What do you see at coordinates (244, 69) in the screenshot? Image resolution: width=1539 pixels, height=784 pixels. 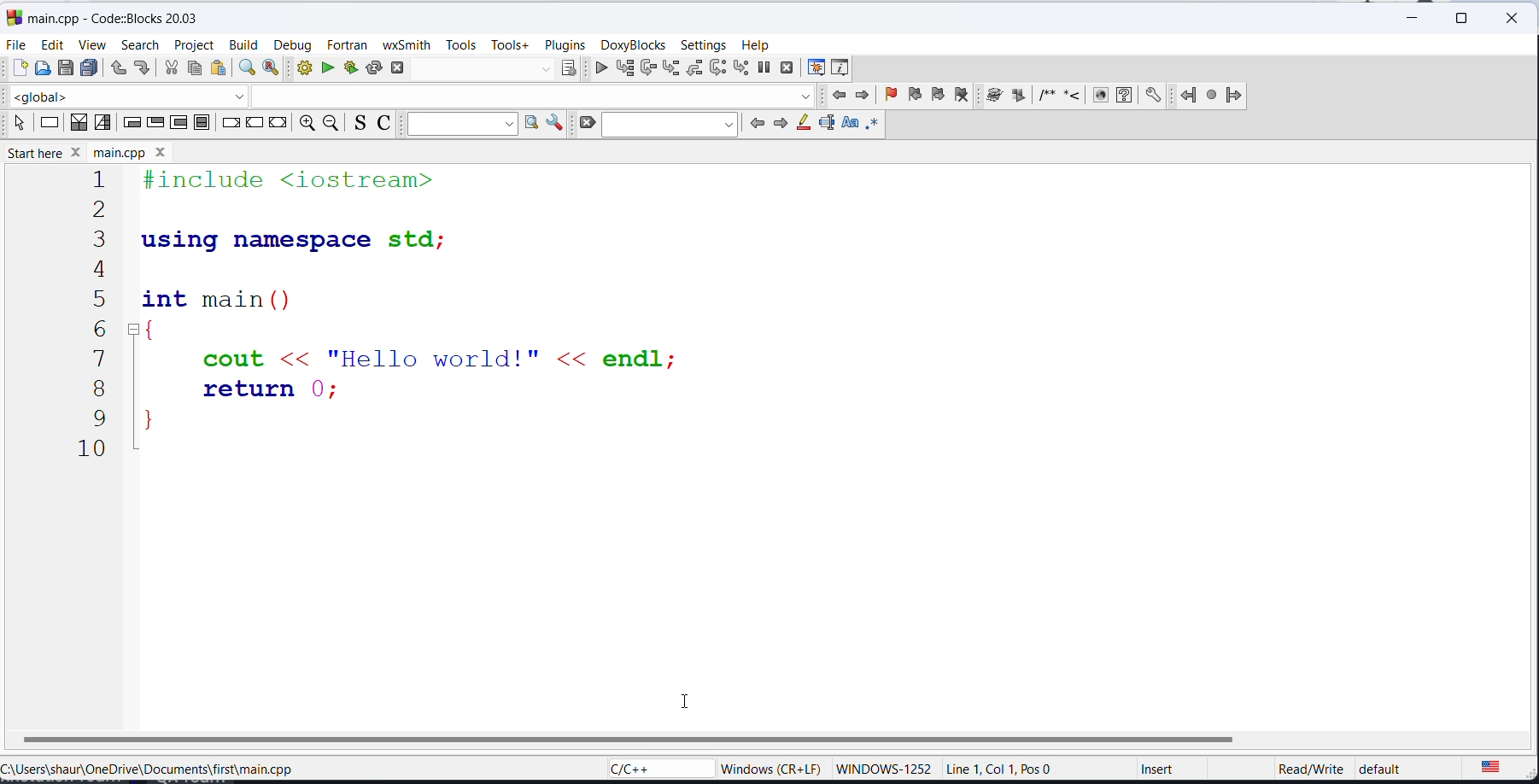 I see `FIND` at bounding box center [244, 69].